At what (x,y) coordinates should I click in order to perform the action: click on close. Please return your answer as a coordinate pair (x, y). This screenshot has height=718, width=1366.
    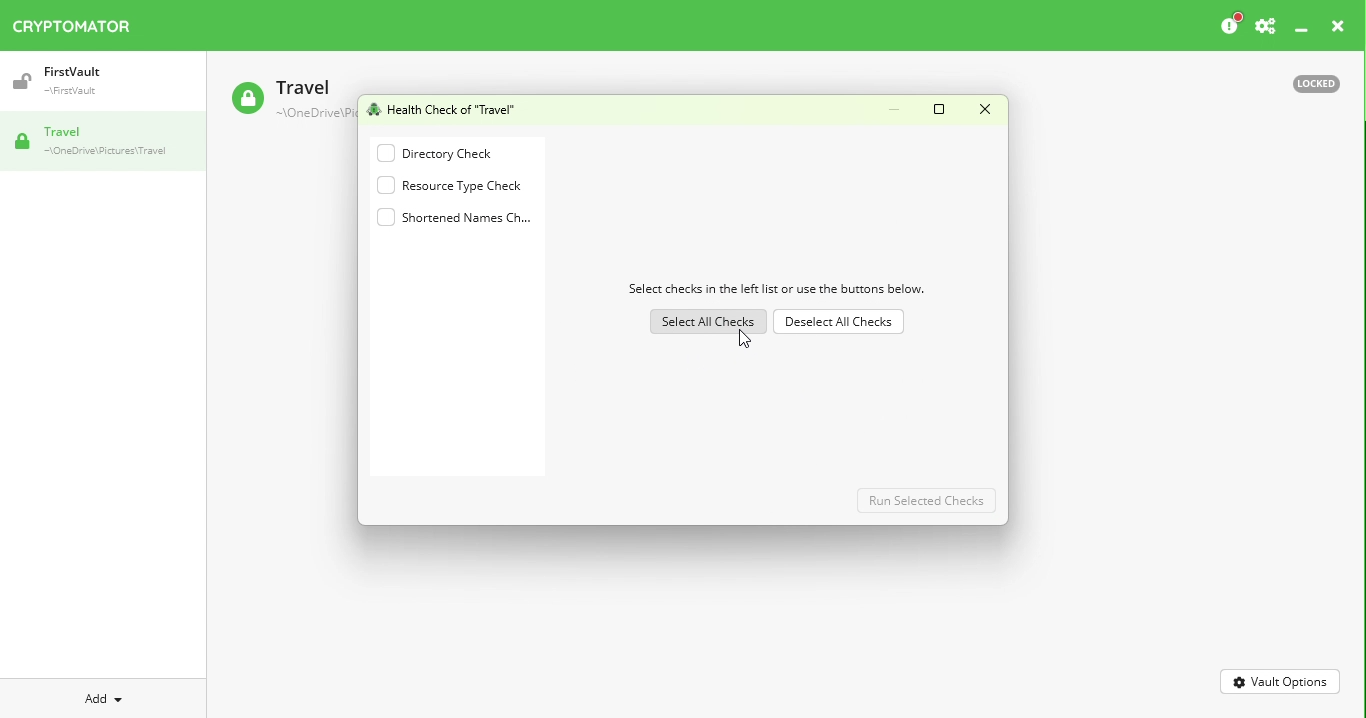
    Looking at the image, I should click on (1339, 26).